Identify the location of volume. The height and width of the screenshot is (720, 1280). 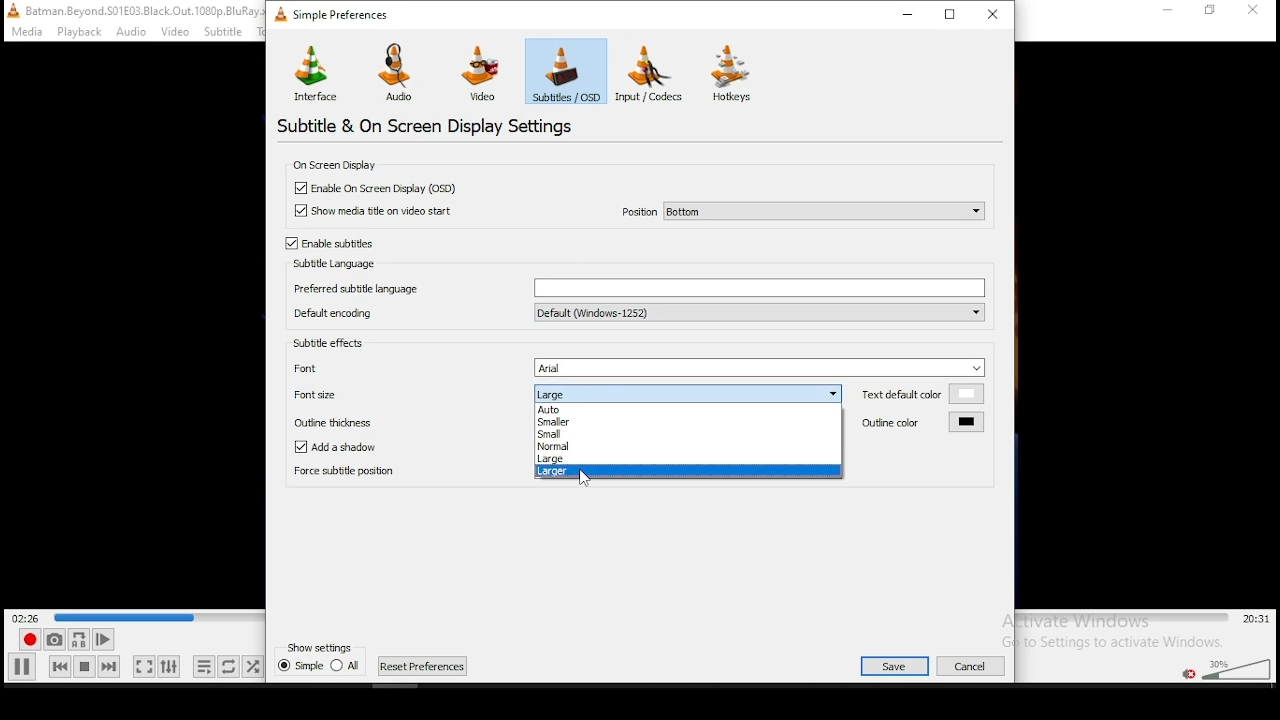
(1238, 667).